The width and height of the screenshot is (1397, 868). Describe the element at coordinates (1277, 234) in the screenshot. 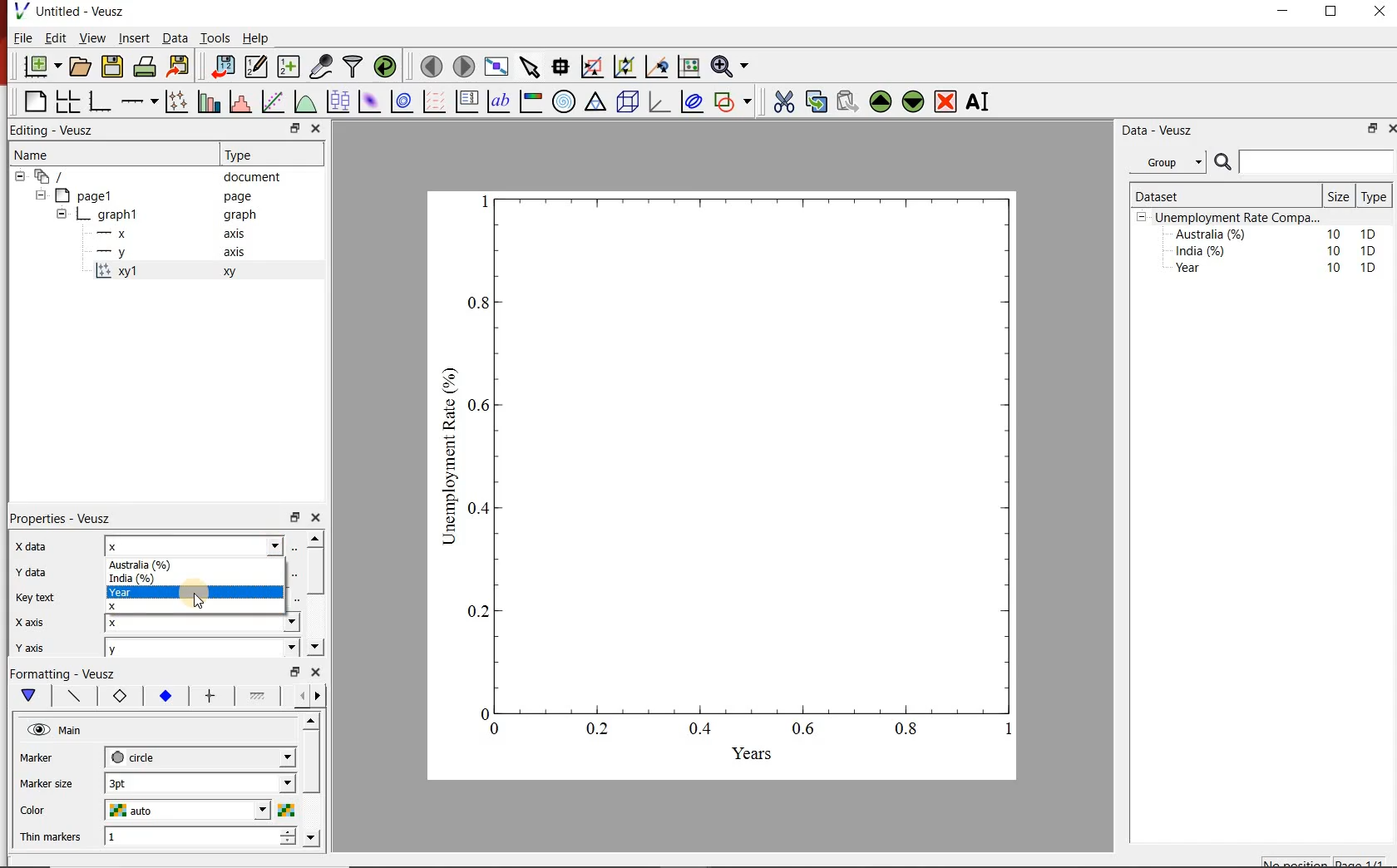

I see `Australia (%) 10 1D` at that location.